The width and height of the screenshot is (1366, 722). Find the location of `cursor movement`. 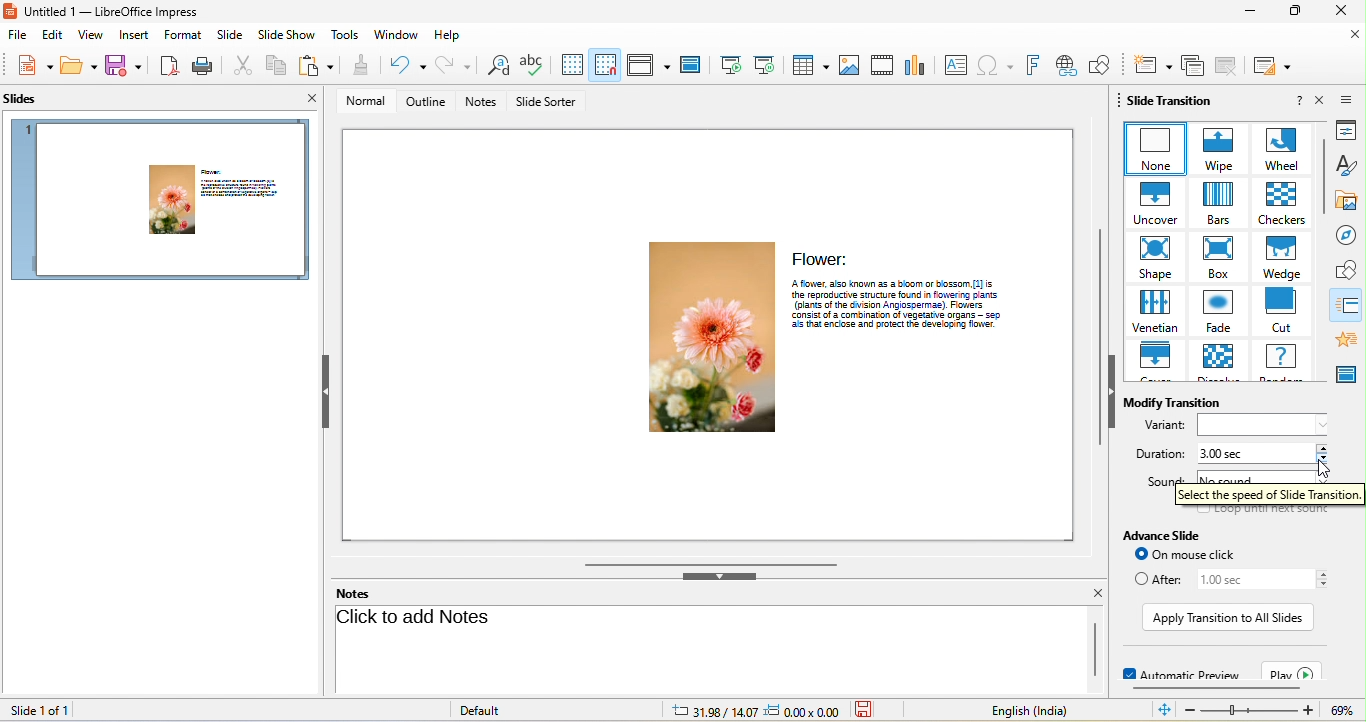

cursor movement is located at coordinates (1321, 473).